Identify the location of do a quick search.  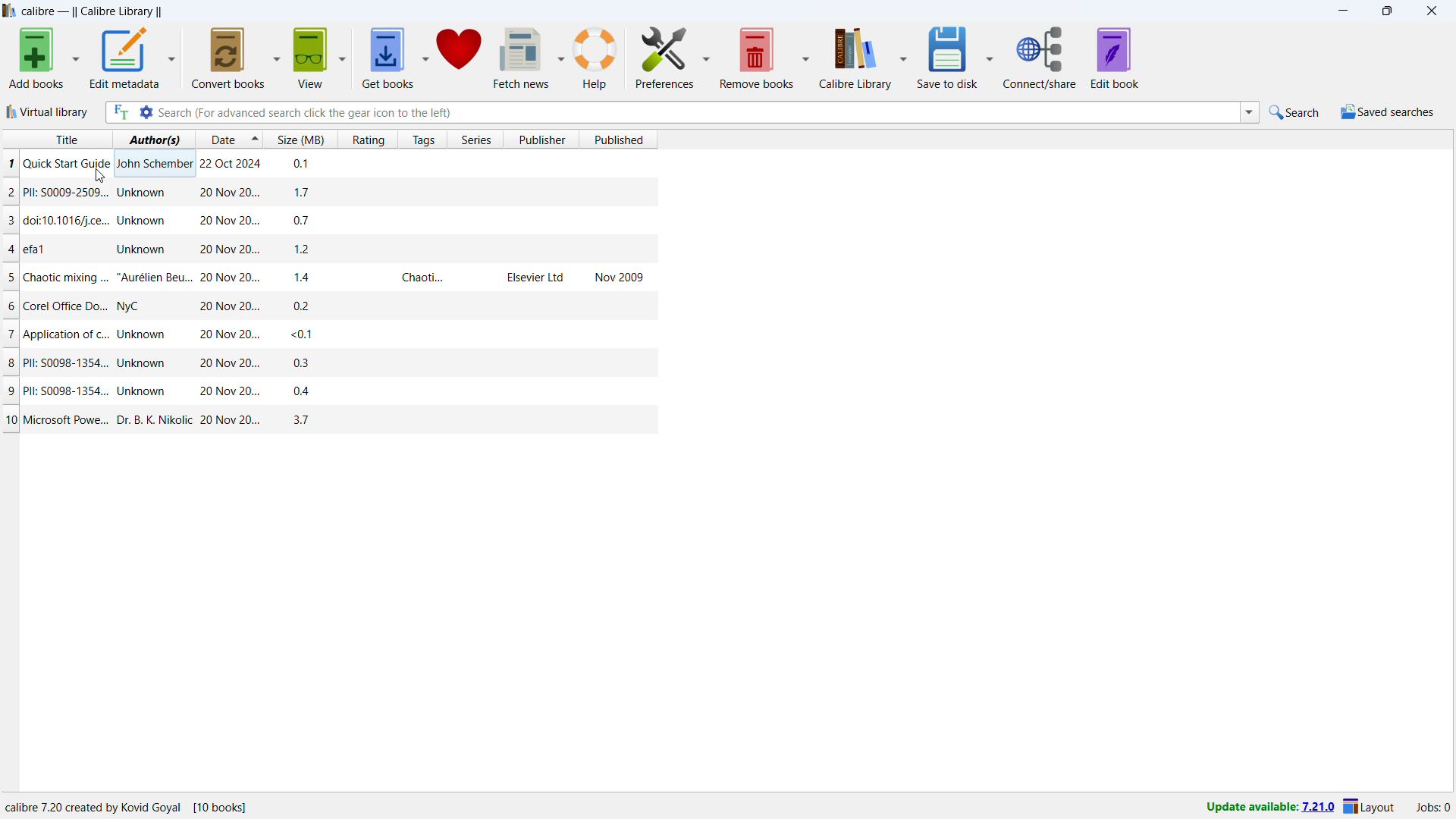
(1294, 111).